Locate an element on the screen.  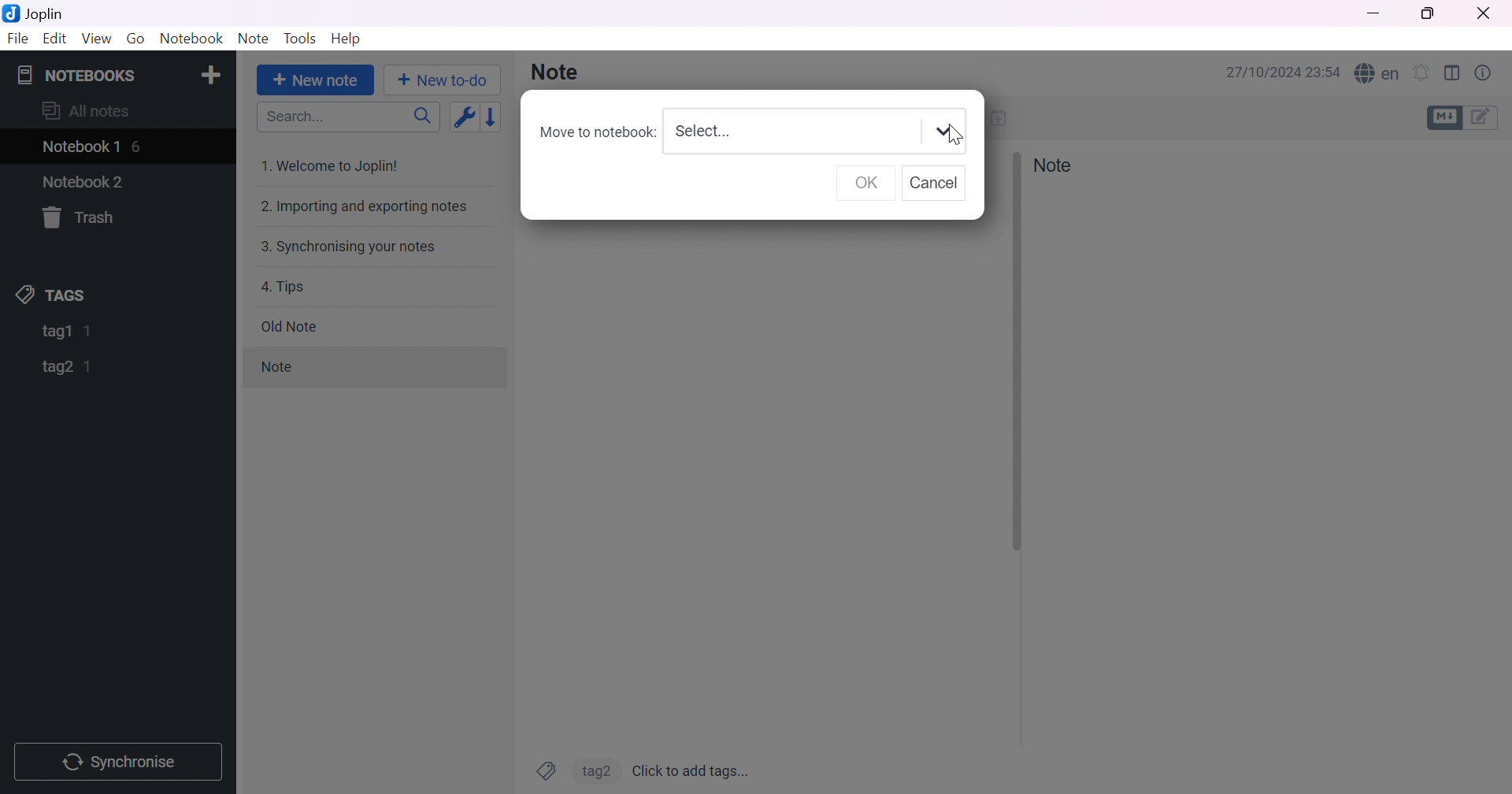
2. Importing and exporting notes is located at coordinates (363, 206).